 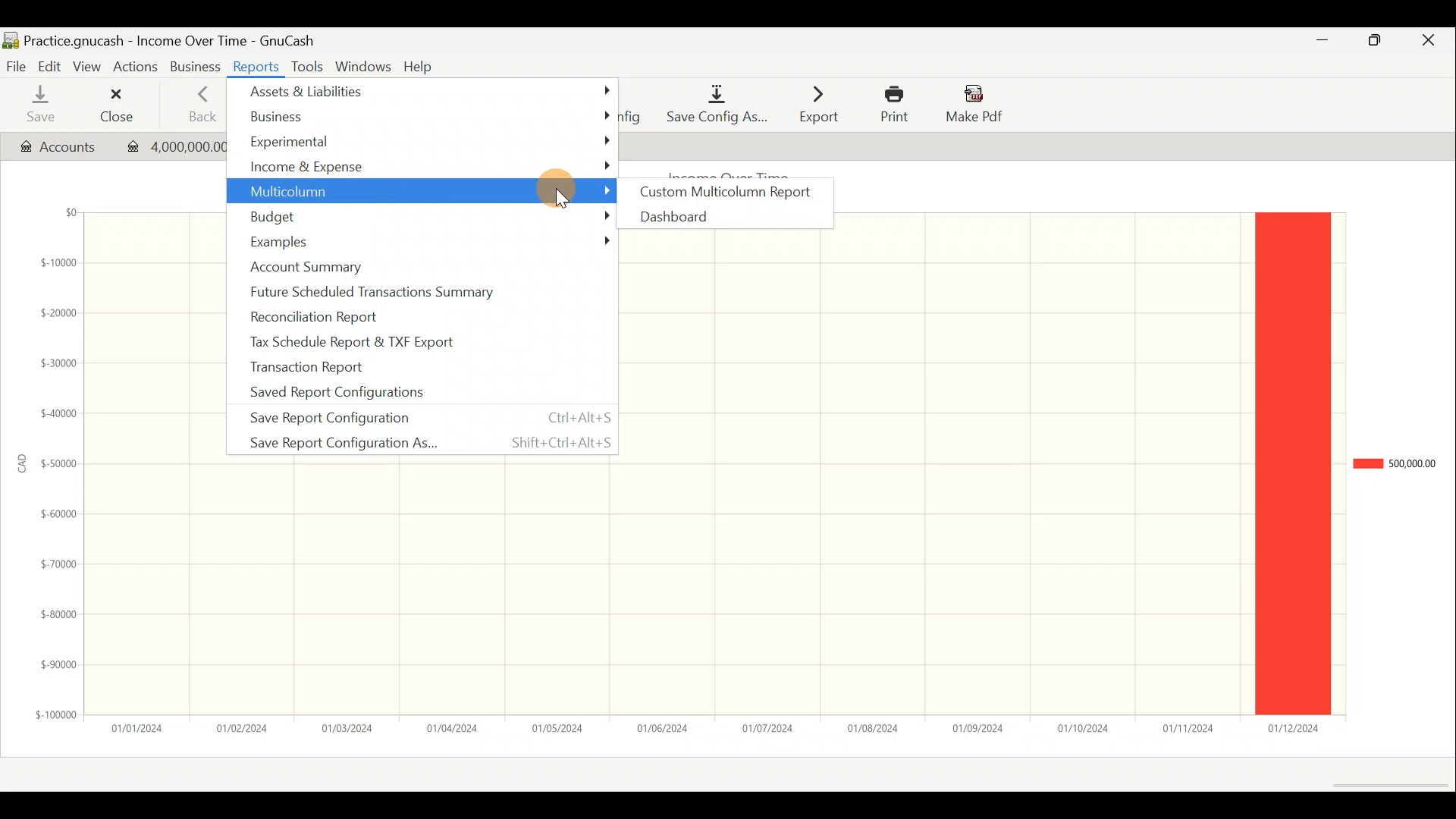 What do you see at coordinates (425, 167) in the screenshot?
I see `Income & expense` at bounding box center [425, 167].